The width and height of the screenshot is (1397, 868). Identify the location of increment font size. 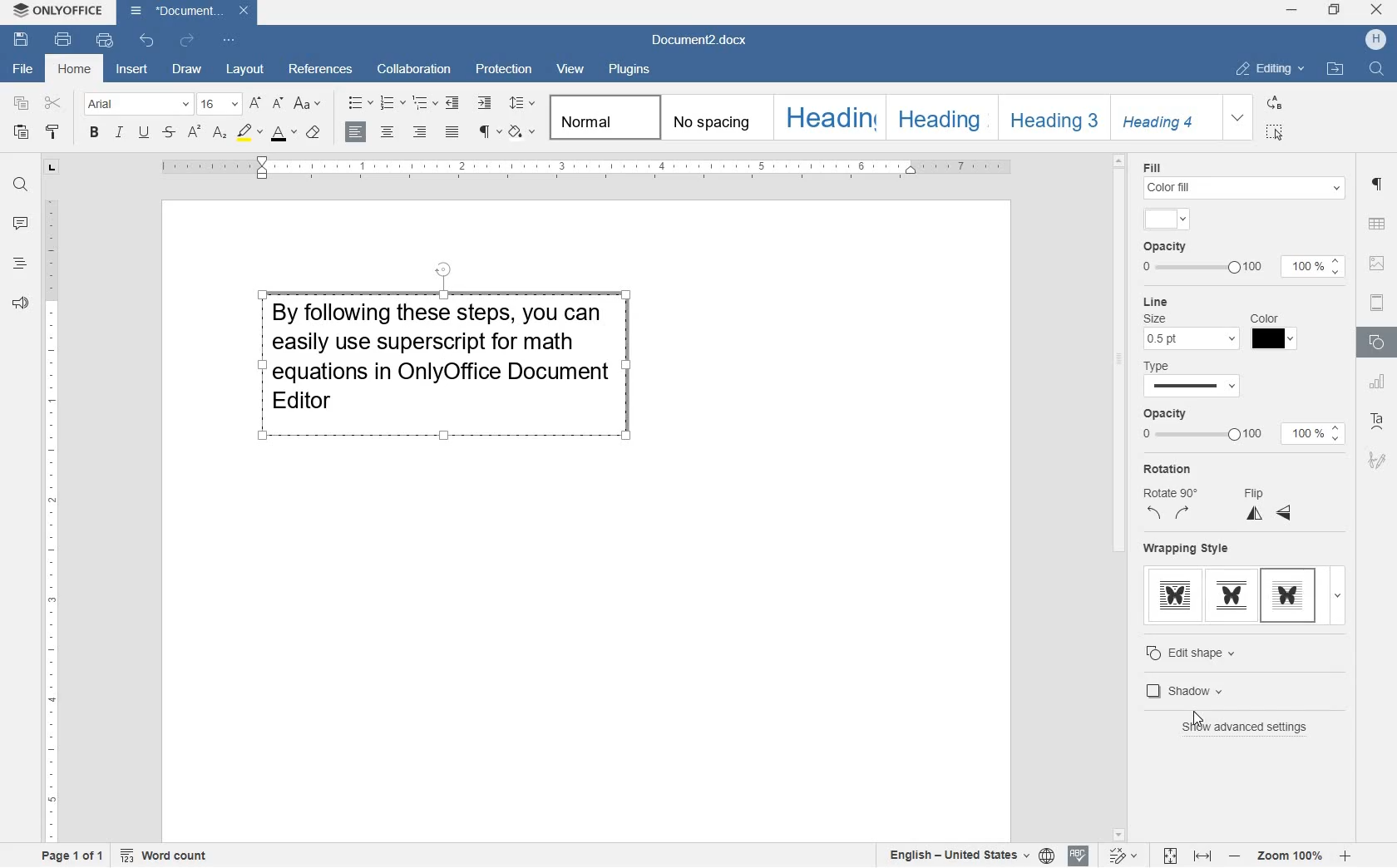
(254, 104).